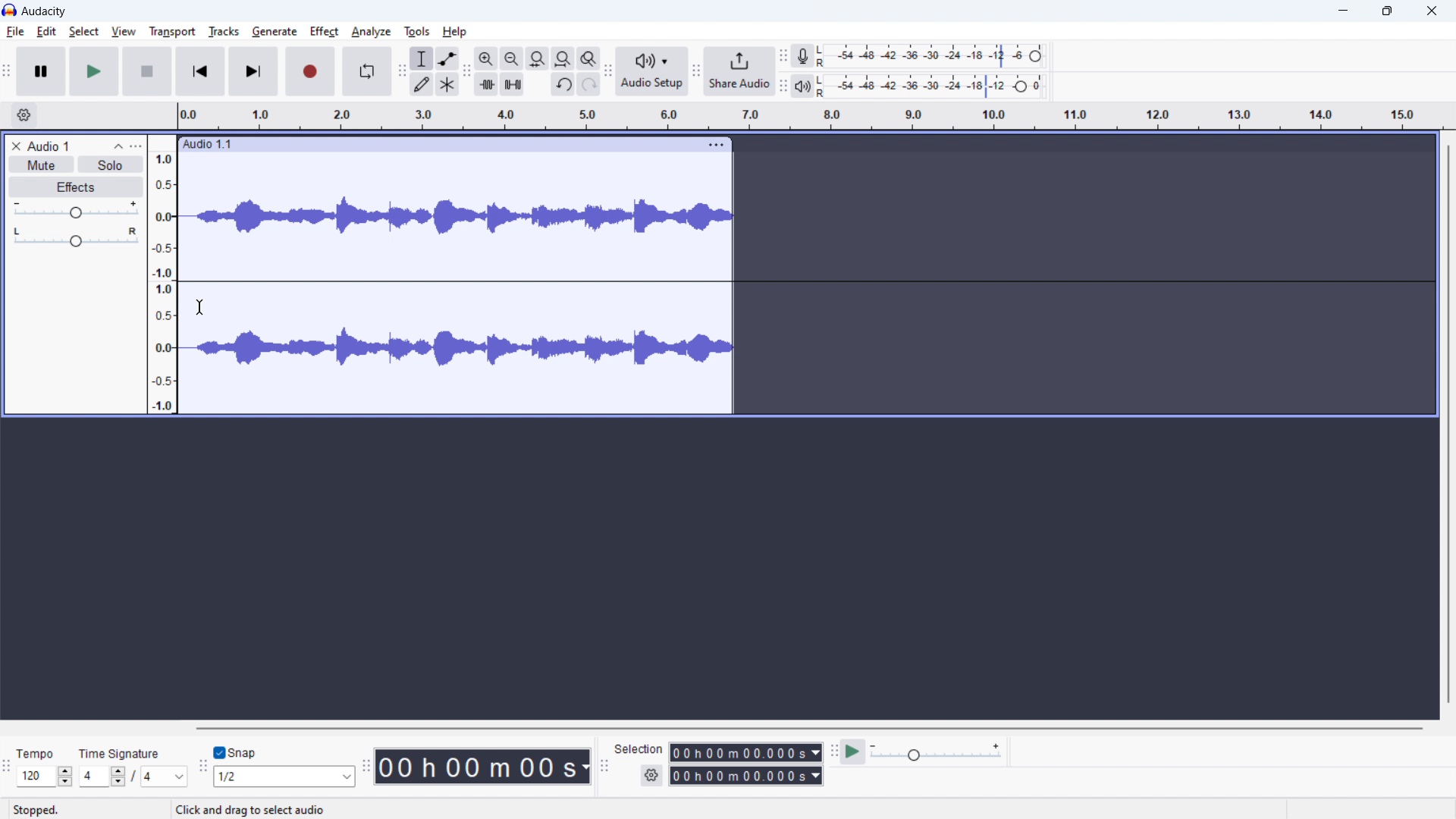 The width and height of the screenshot is (1456, 819). Describe the element at coordinates (447, 59) in the screenshot. I see `envelop tool` at that location.